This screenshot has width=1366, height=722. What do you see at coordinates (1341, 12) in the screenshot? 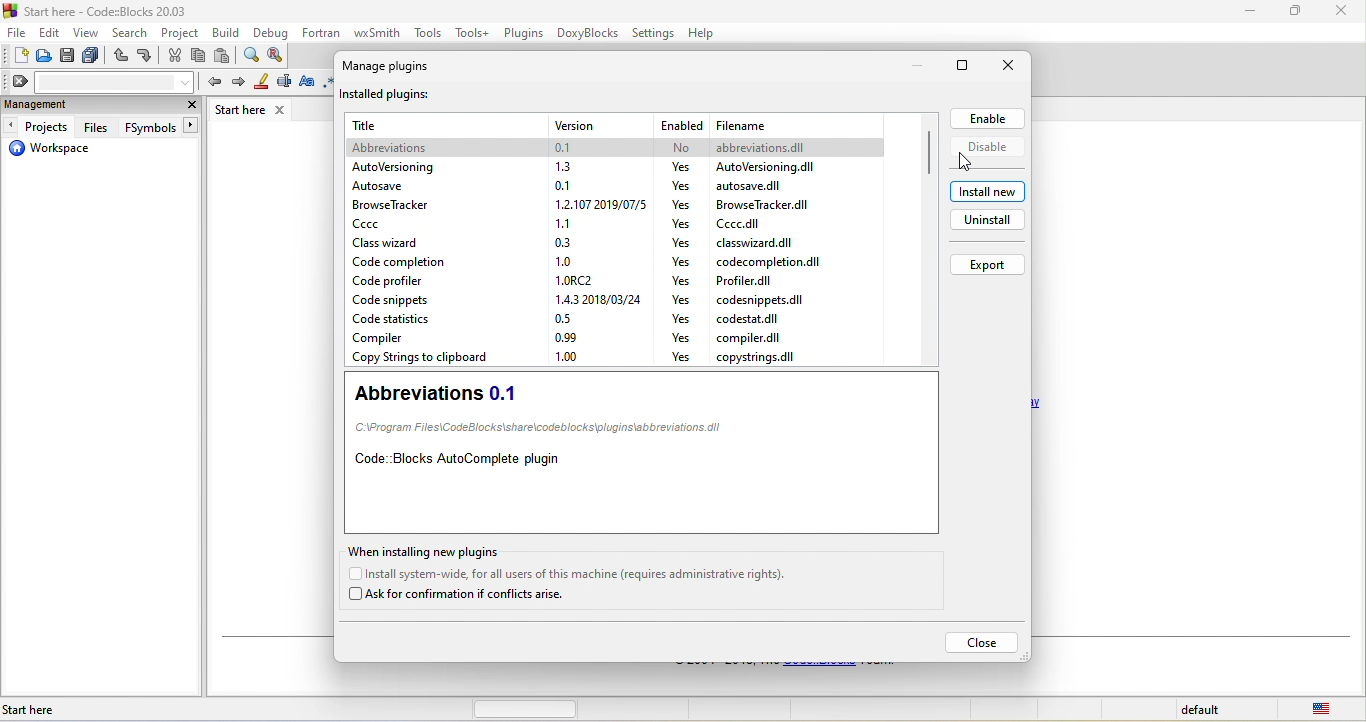
I see `close` at bounding box center [1341, 12].